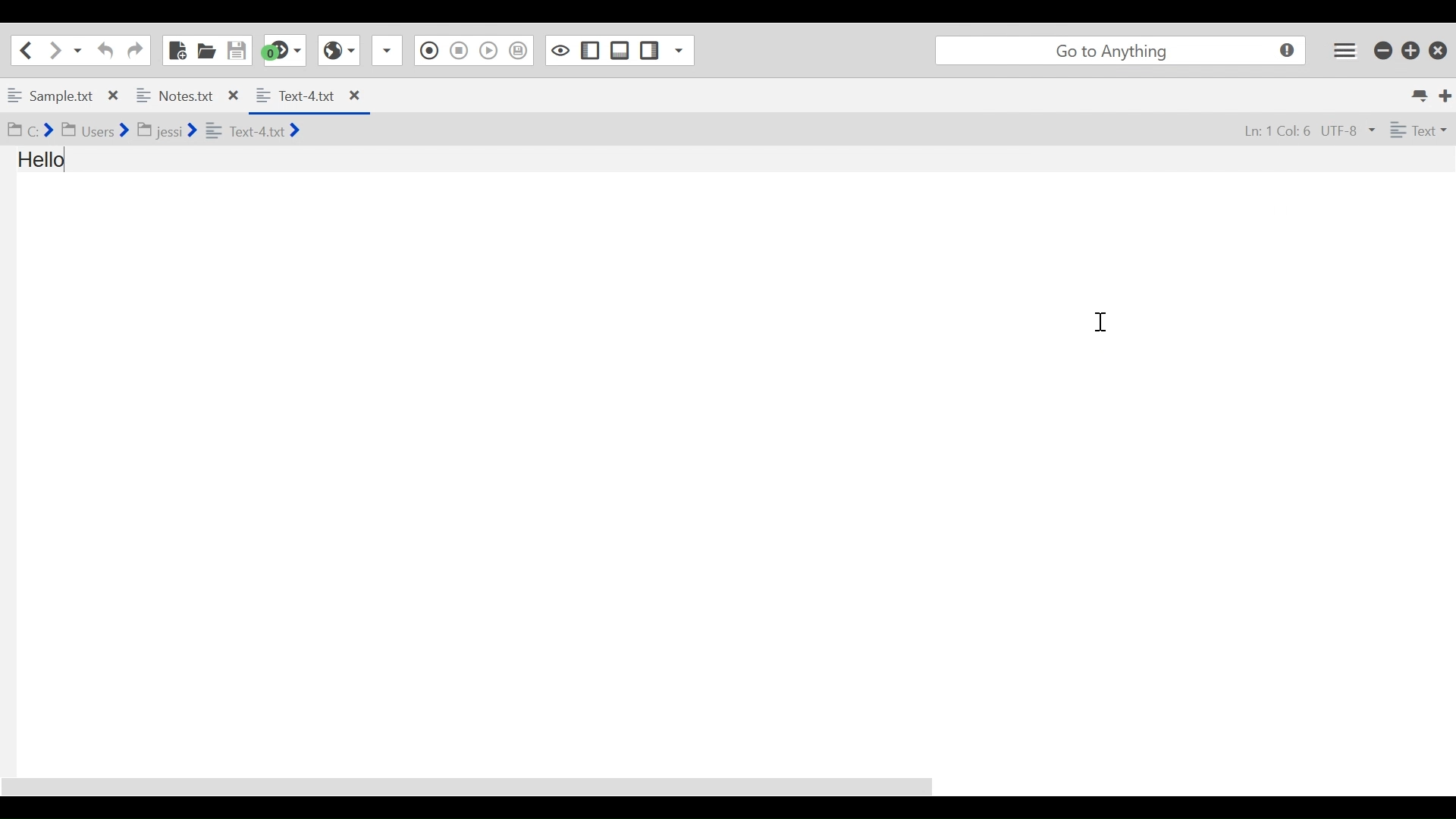 Image resolution: width=1456 pixels, height=819 pixels. I want to click on View in Browser, so click(339, 50).